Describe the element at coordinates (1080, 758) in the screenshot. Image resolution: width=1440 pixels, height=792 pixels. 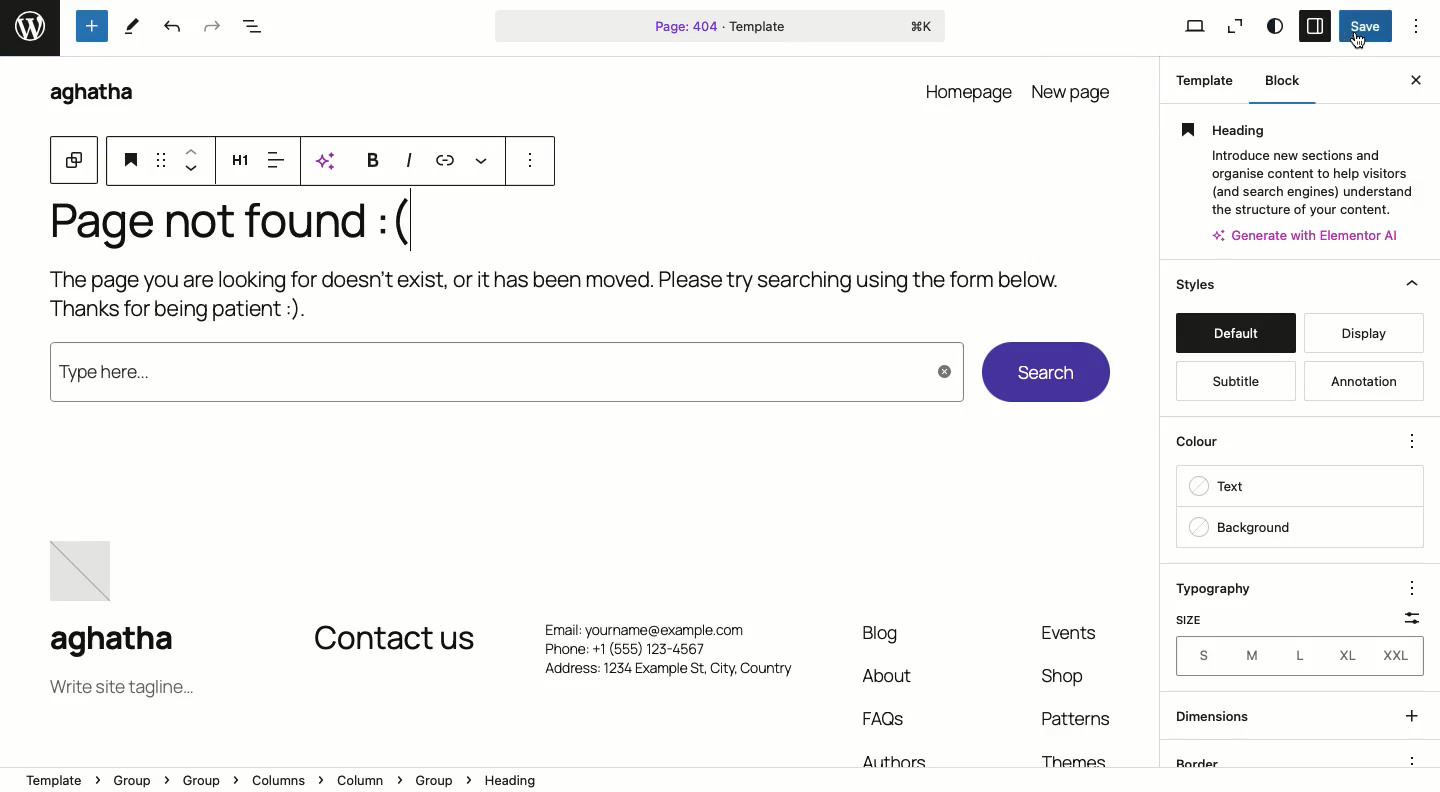
I see `Themes` at that location.